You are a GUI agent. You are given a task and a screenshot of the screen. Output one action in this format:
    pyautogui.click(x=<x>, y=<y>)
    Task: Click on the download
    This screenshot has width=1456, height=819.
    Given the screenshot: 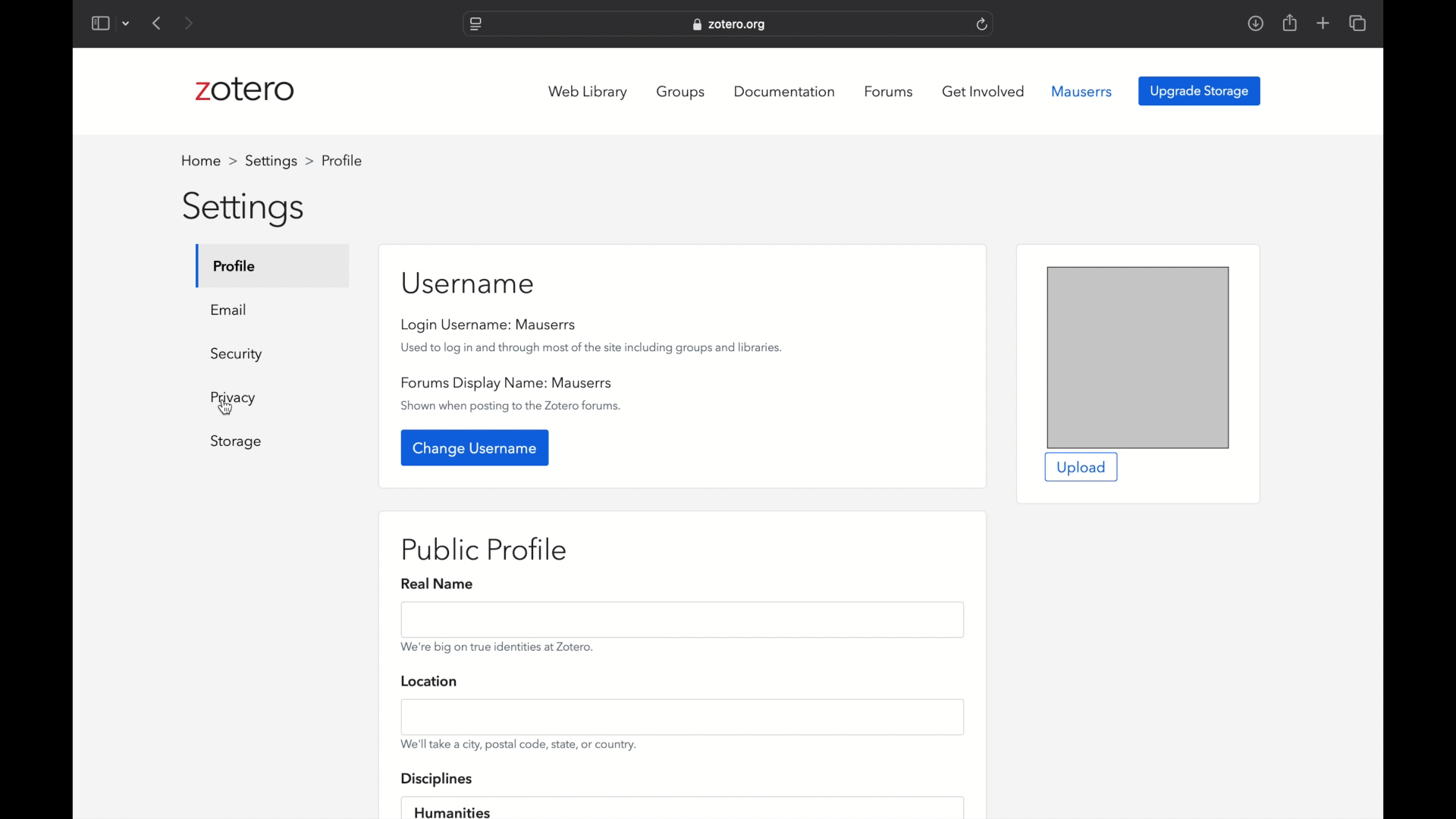 What is the action you would take?
    pyautogui.click(x=1256, y=24)
    